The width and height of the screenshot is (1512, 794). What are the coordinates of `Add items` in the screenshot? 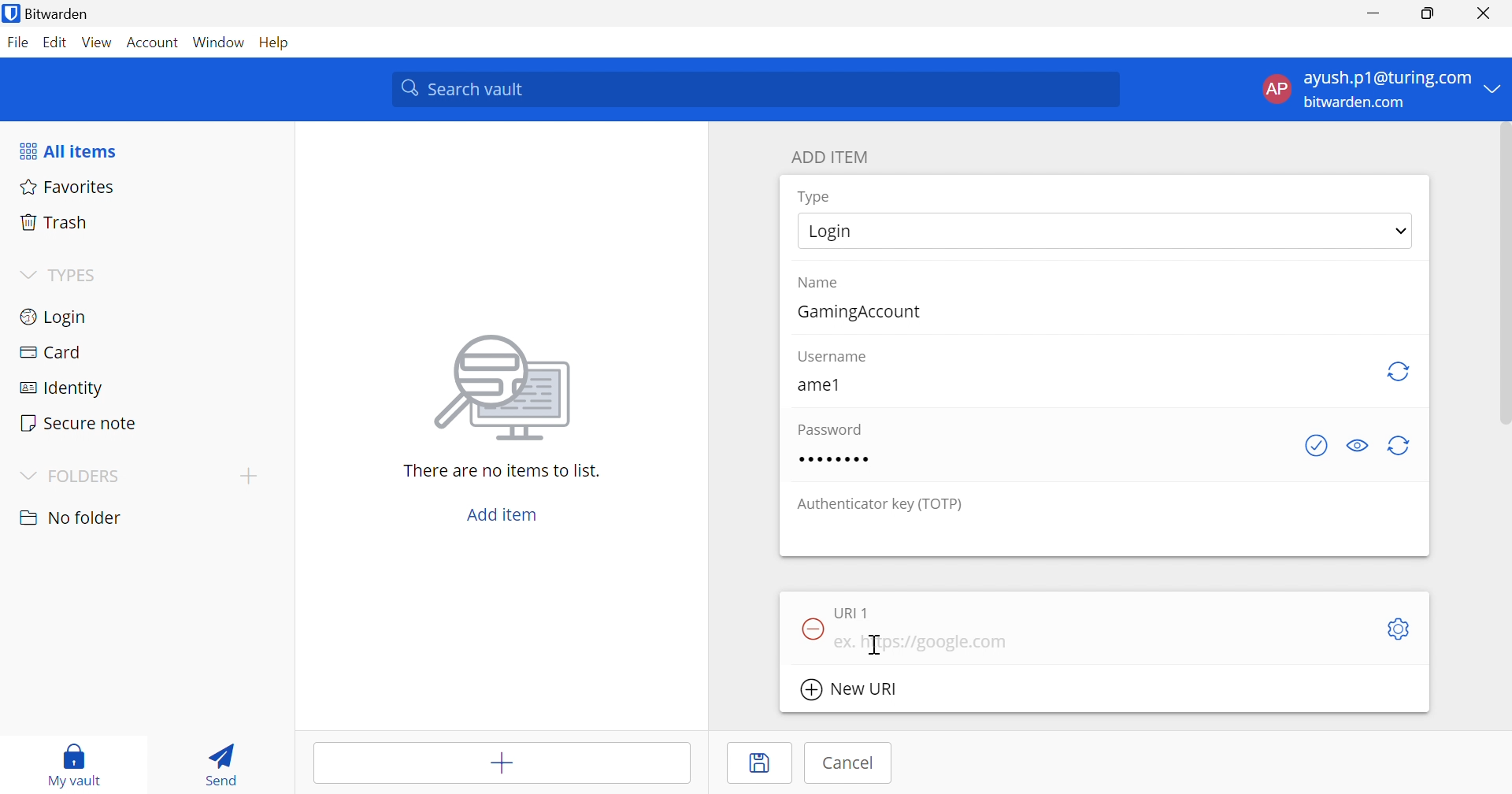 It's located at (499, 763).